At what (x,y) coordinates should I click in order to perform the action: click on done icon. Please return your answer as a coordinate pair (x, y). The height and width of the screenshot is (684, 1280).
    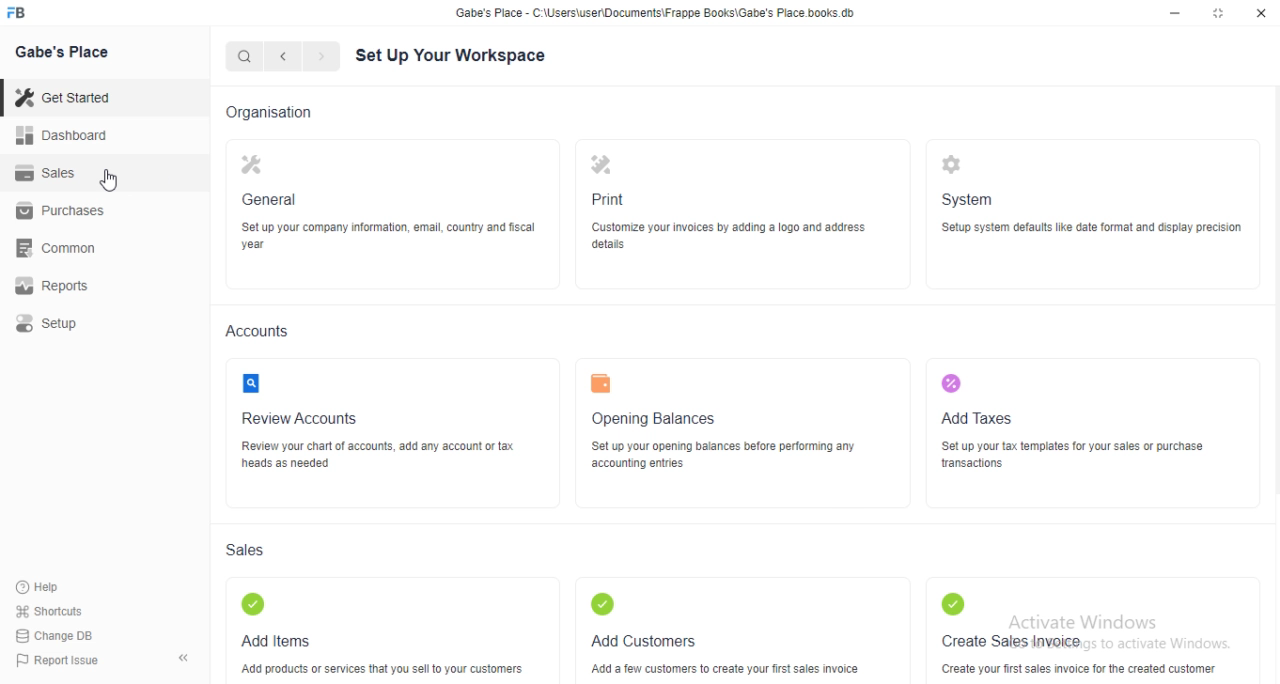
    Looking at the image, I should click on (603, 604).